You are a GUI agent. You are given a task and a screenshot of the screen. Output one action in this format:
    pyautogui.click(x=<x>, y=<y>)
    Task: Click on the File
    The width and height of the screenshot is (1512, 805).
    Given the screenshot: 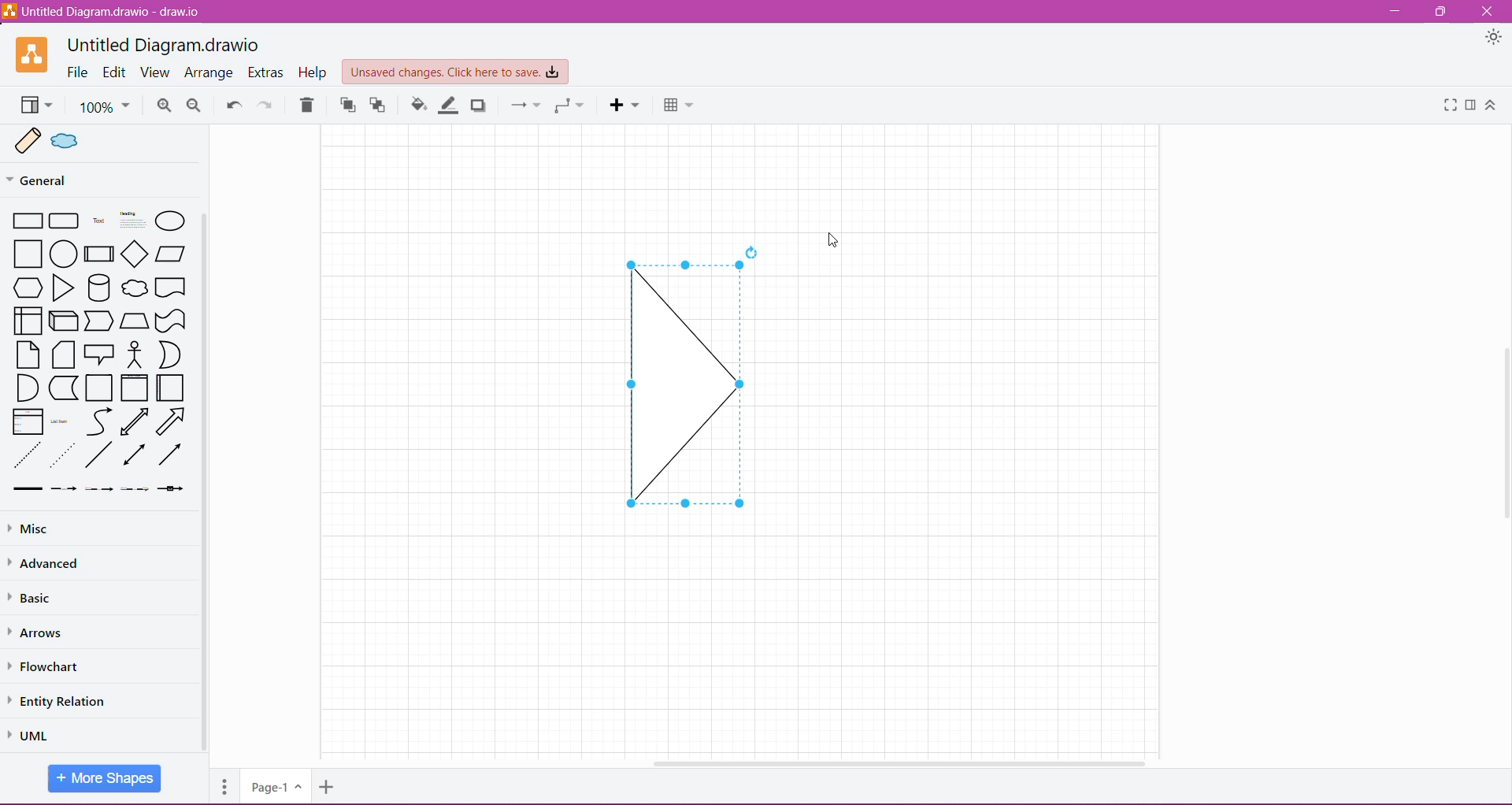 What is the action you would take?
    pyautogui.click(x=77, y=72)
    